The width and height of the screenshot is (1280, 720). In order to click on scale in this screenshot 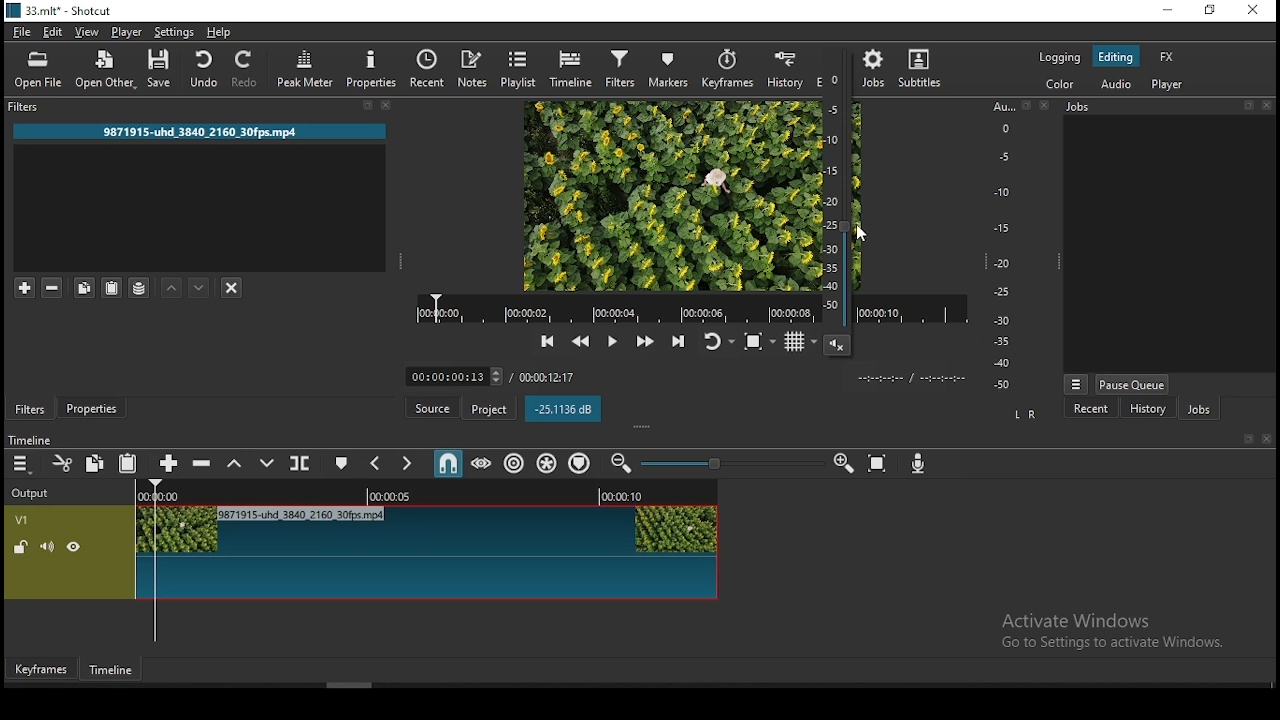, I will do `click(1003, 247)`.